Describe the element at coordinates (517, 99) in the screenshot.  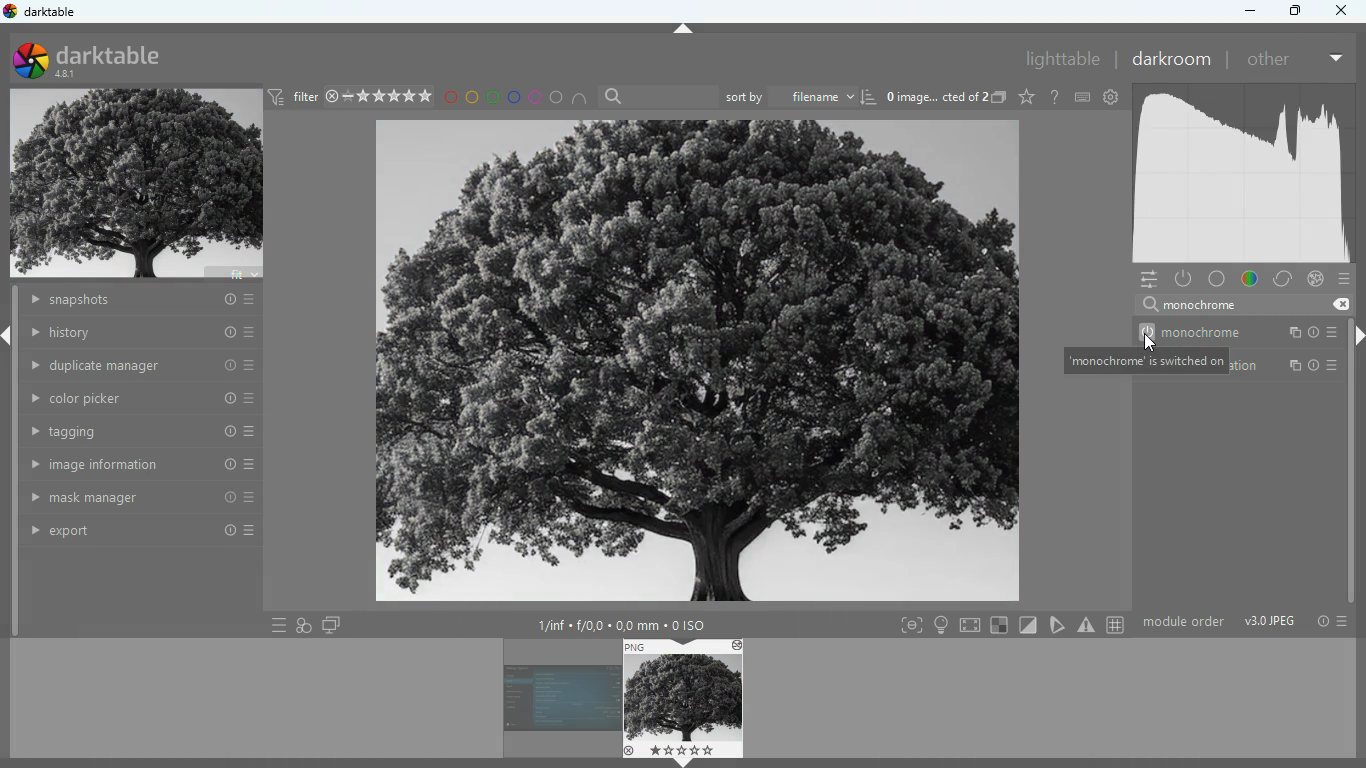
I see `blue` at that location.